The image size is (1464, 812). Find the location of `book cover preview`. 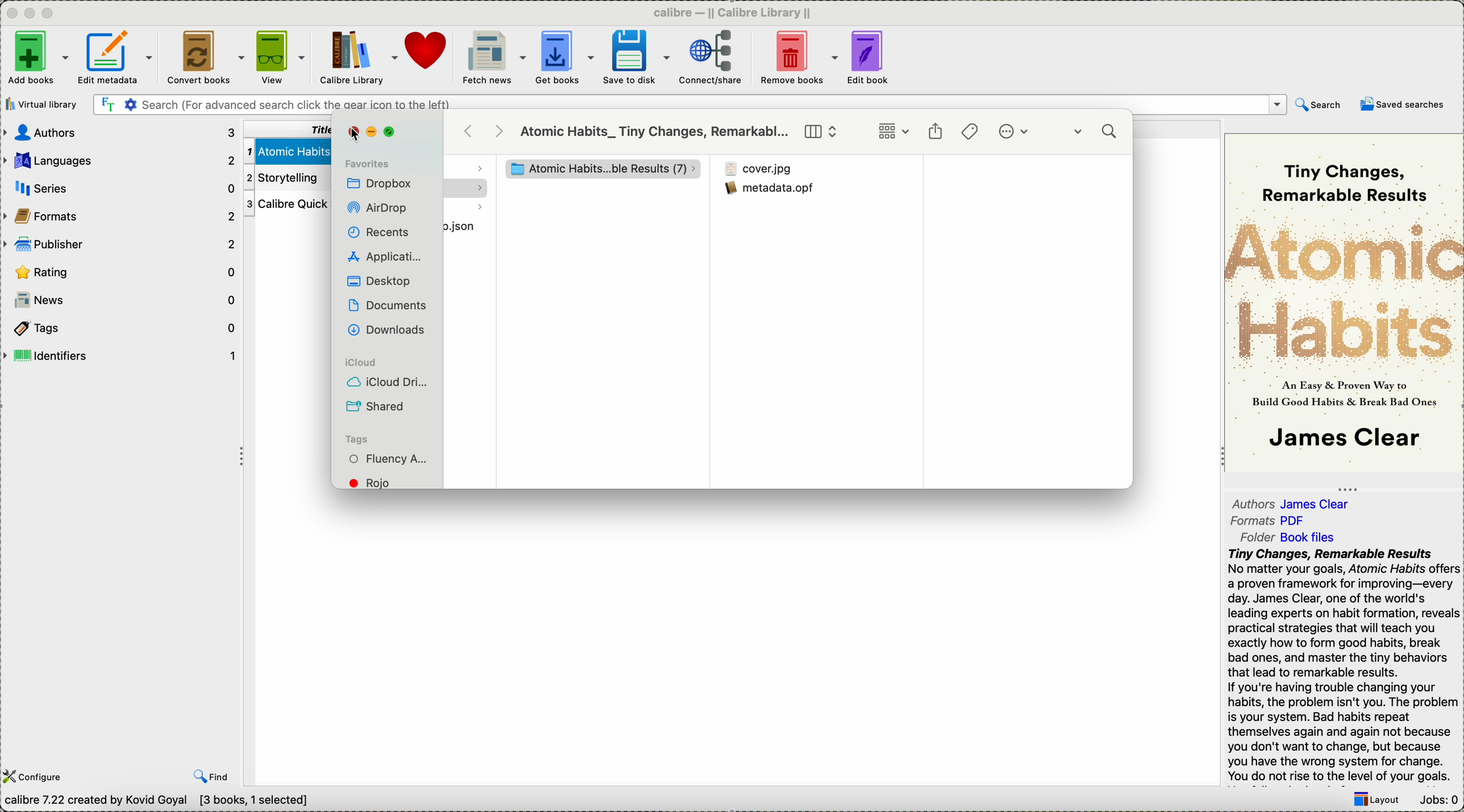

book cover preview is located at coordinates (1344, 302).